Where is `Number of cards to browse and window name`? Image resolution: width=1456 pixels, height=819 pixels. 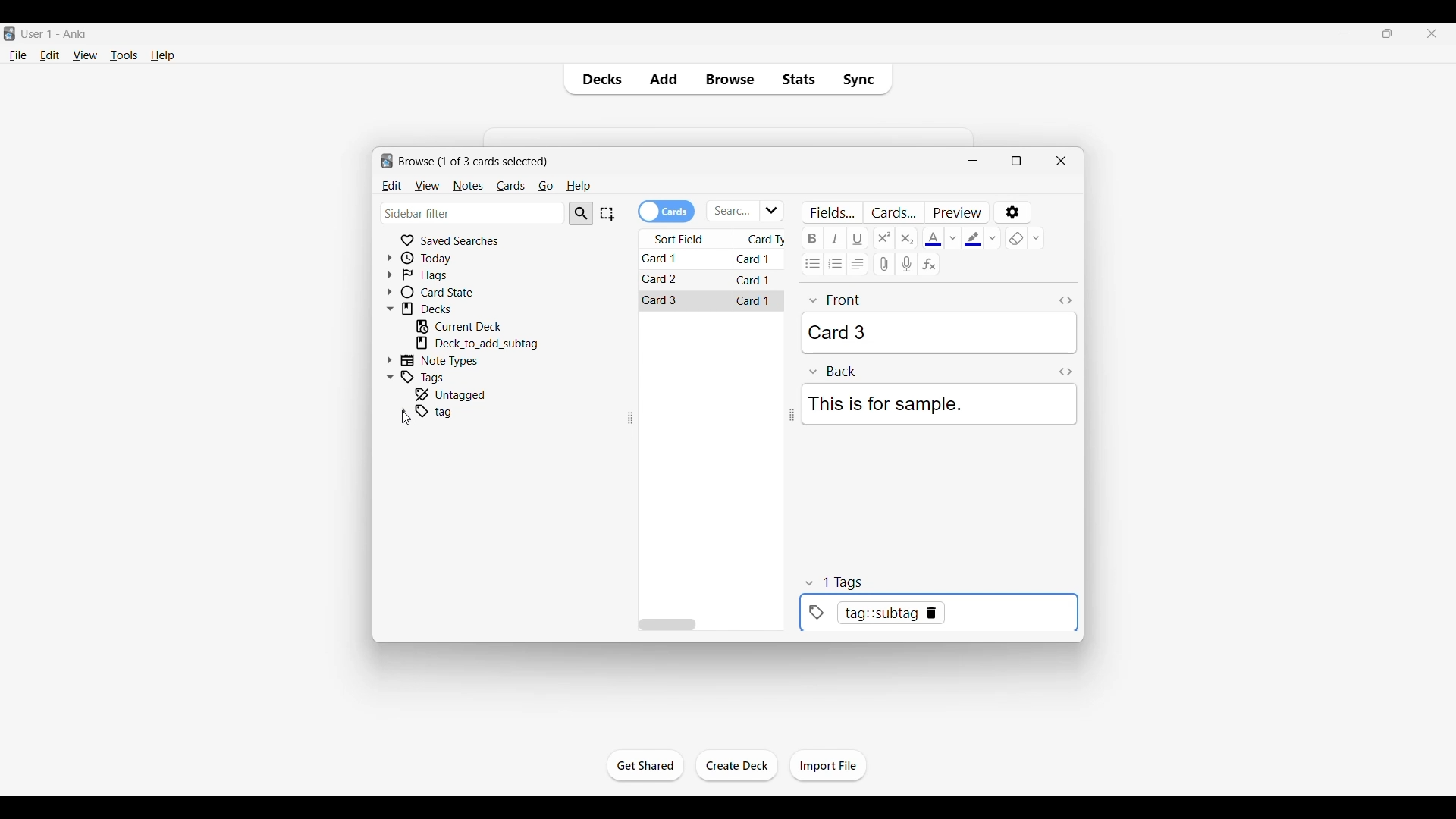
Number of cards to browse and window name is located at coordinates (473, 162).